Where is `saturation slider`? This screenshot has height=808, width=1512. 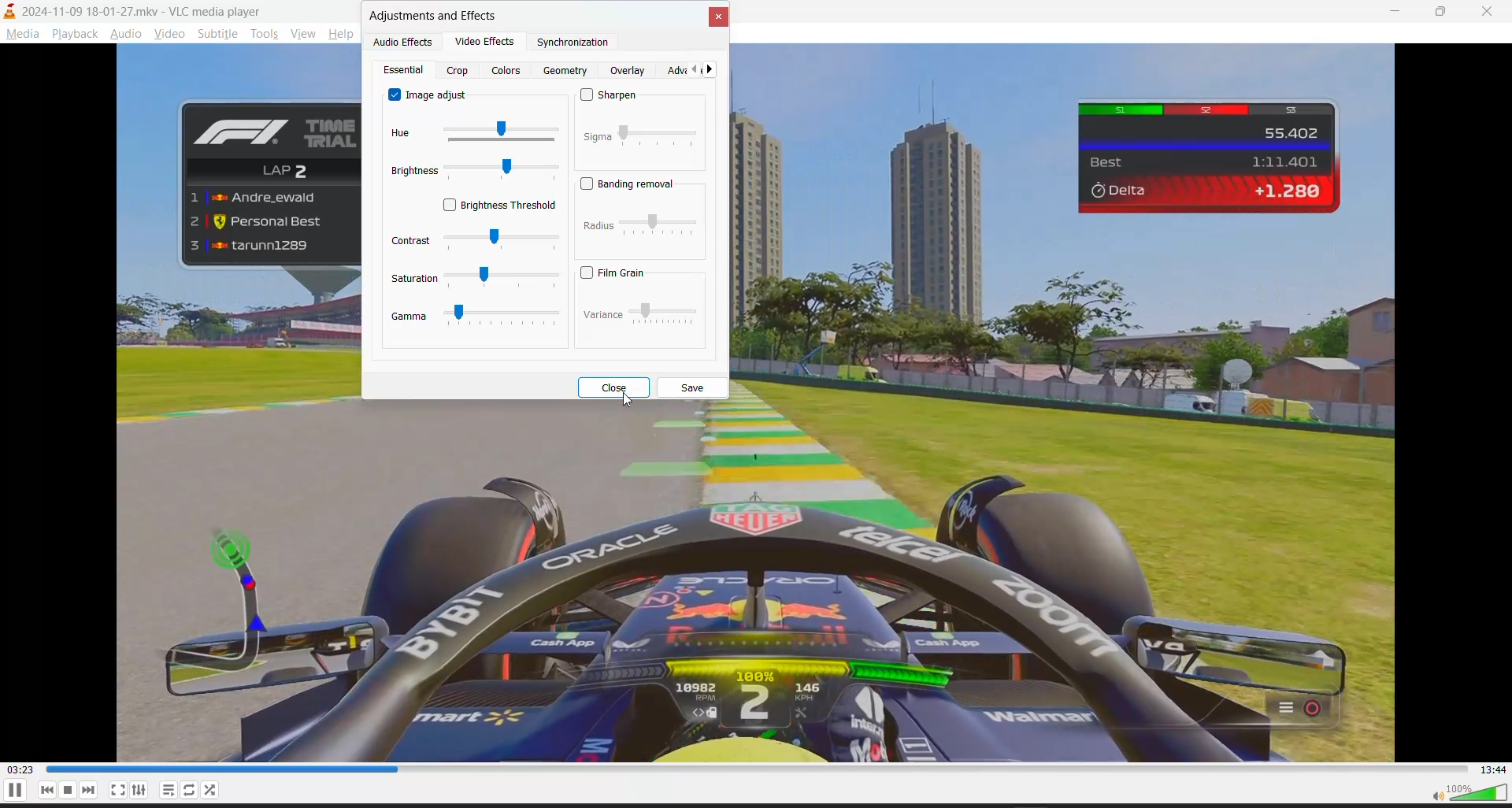
saturation slider is located at coordinates (504, 278).